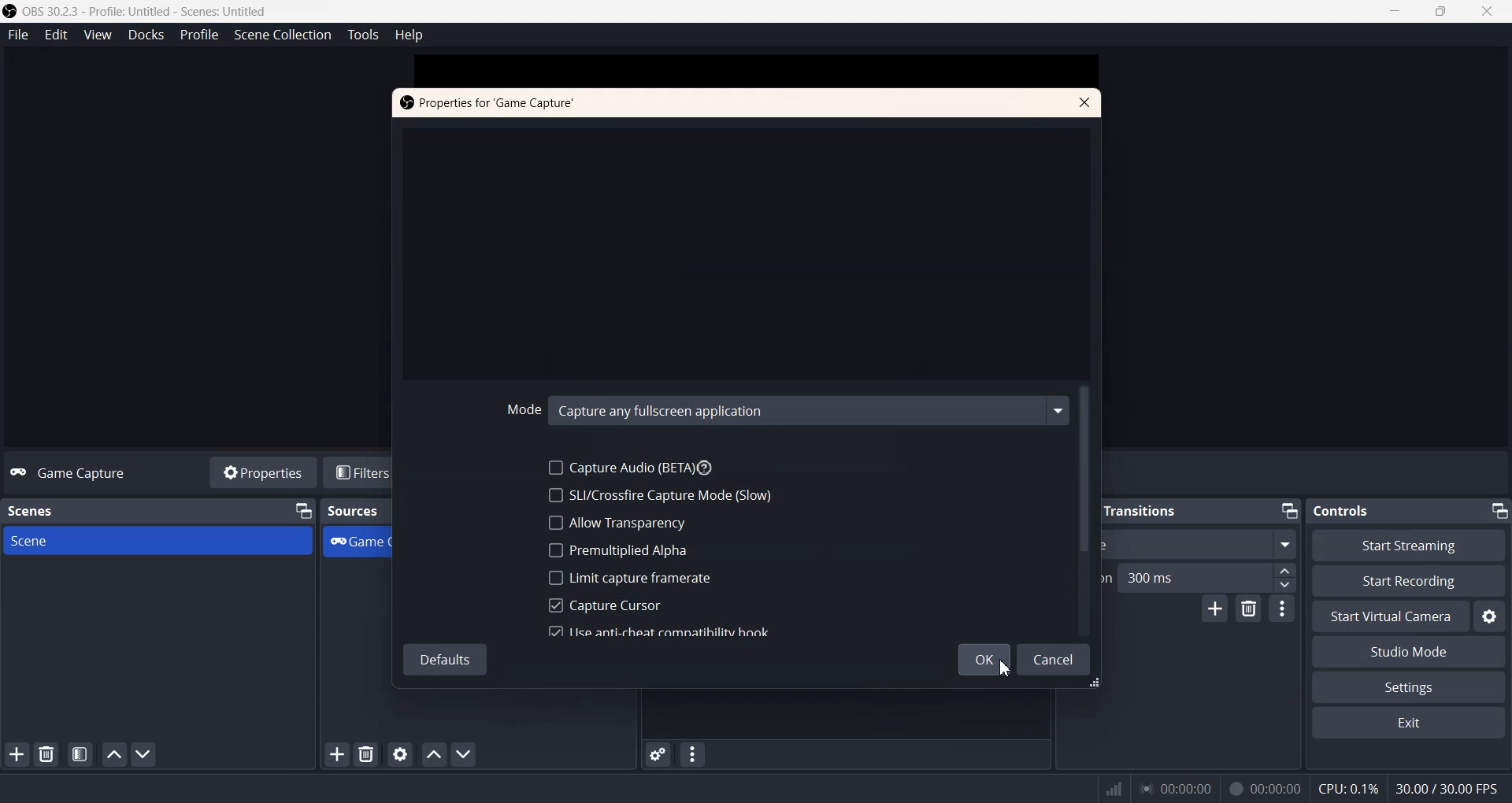  Describe the element at coordinates (283, 35) in the screenshot. I see `Scene Collection` at that location.